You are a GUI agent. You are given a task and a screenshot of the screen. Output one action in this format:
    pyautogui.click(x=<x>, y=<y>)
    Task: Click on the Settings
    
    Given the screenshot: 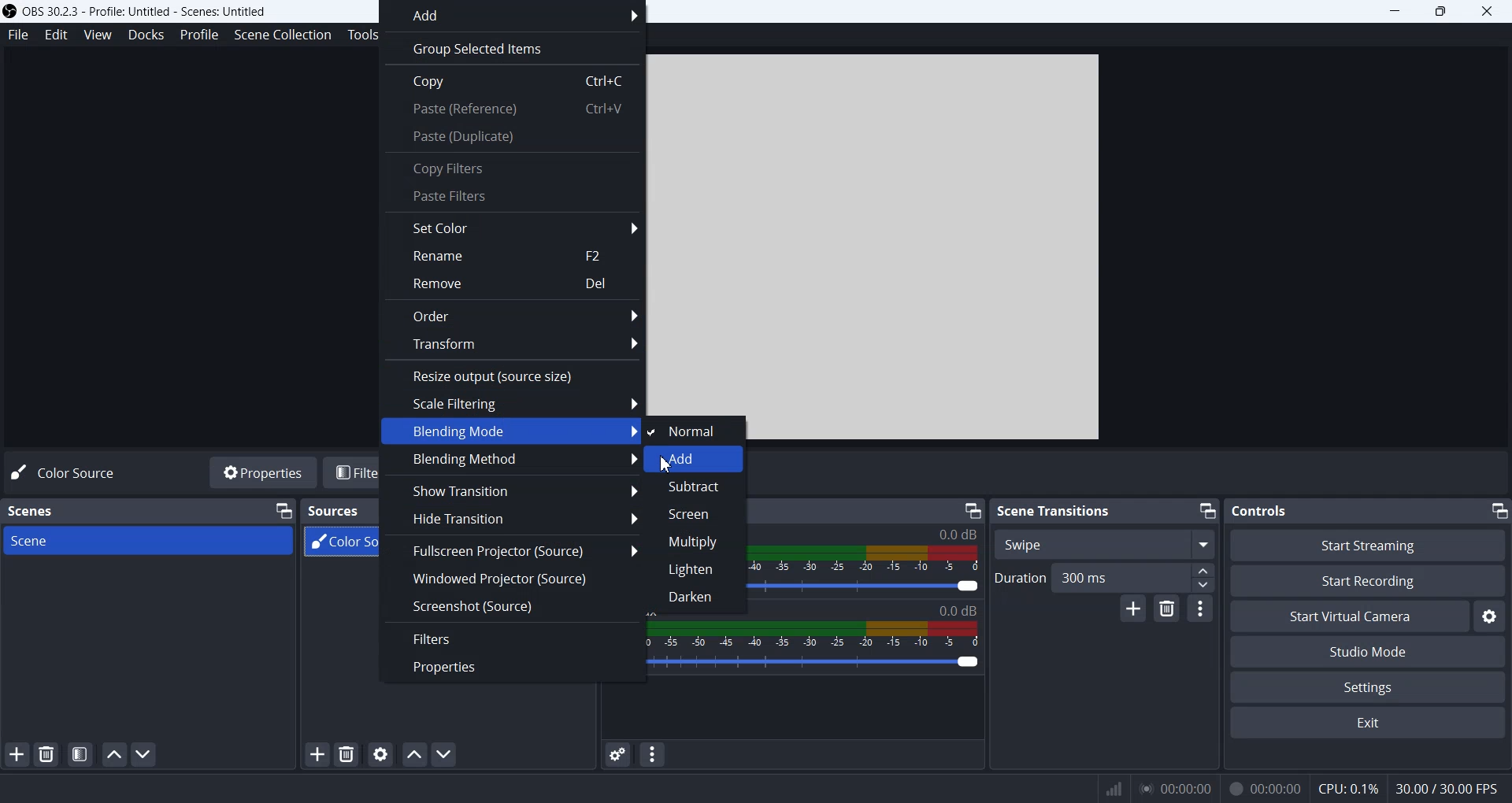 What is the action you would take?
    pyautogui.click(x=1492, y=616)
    